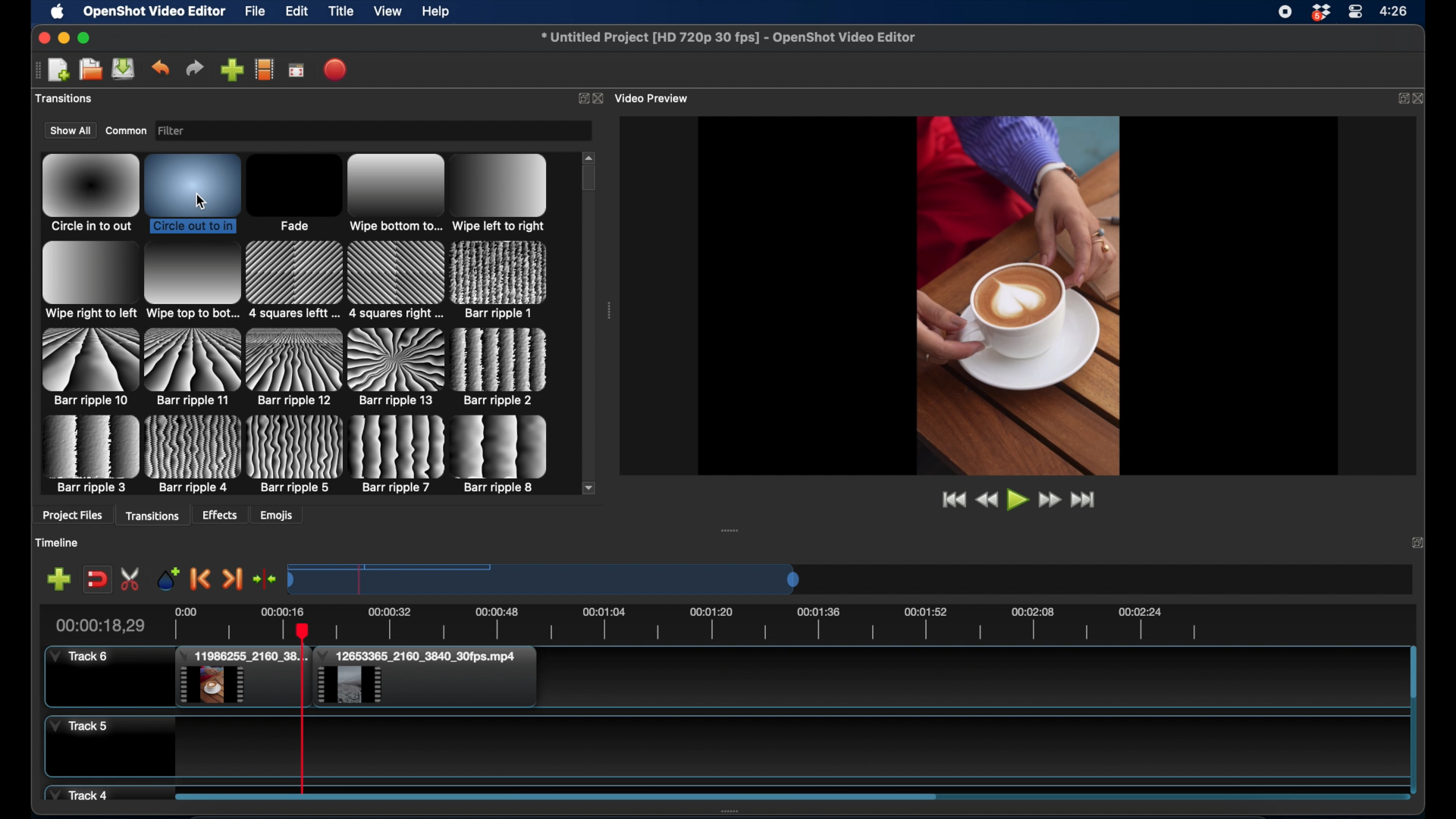 Image resolution: width=1456 pixels, height=819 pixels. Describe the element at coordinates (99, 625) in the screenshot. I see `current time indicator` at that location.